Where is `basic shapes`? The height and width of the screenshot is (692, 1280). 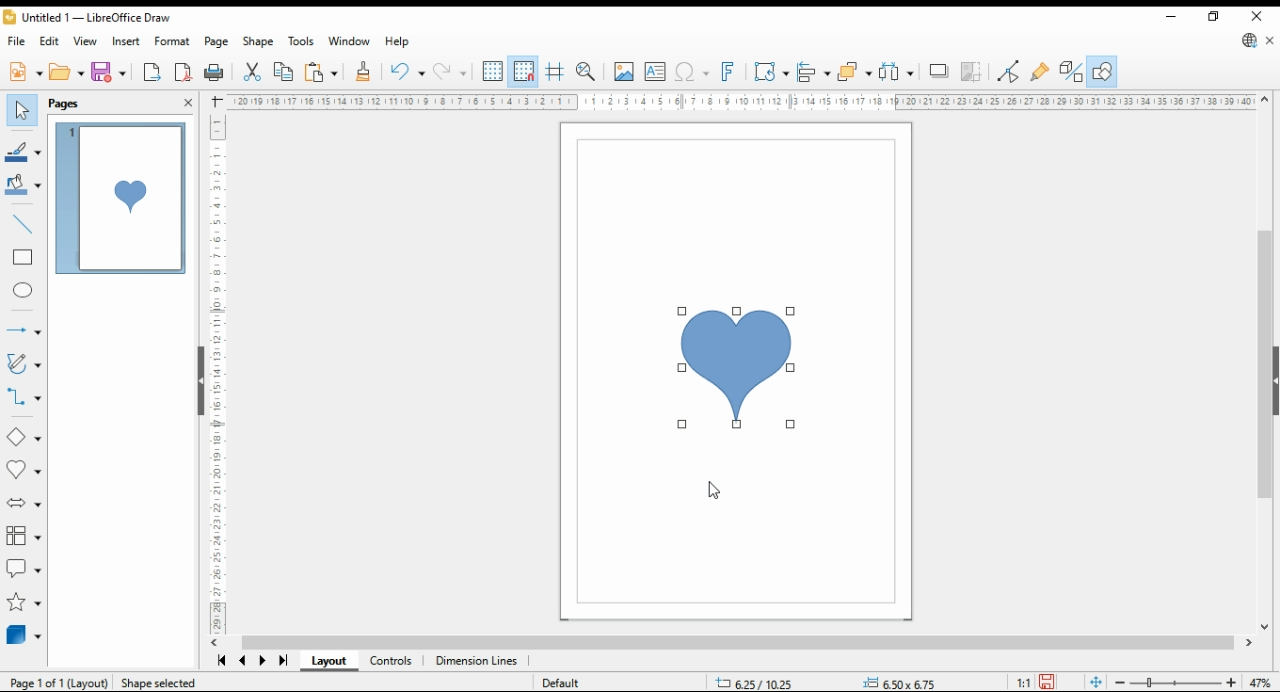
basic shapes is located at coordinates (23, 436).